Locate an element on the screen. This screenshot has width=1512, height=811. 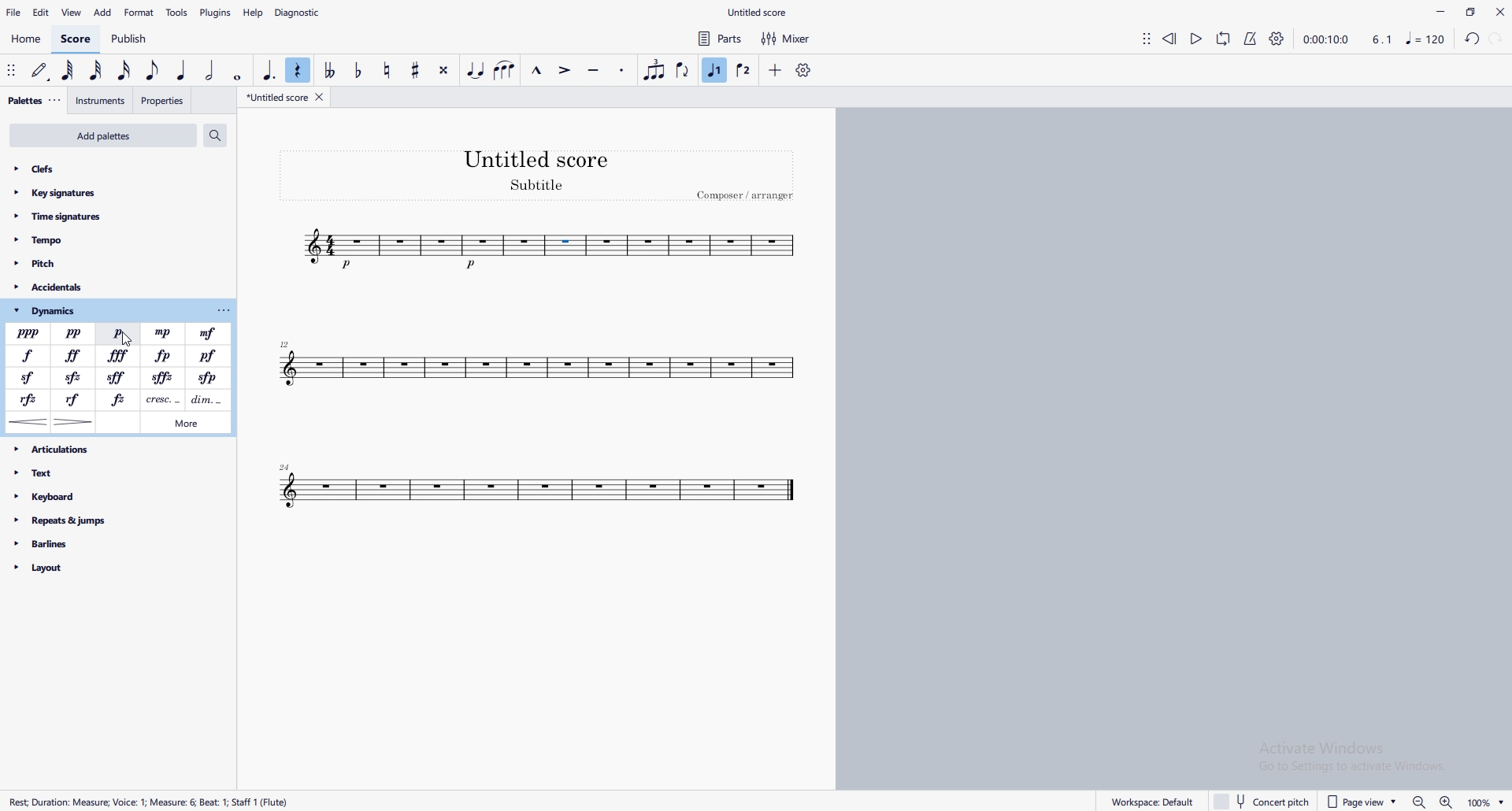
mixer is located at coordinates (785, 39).